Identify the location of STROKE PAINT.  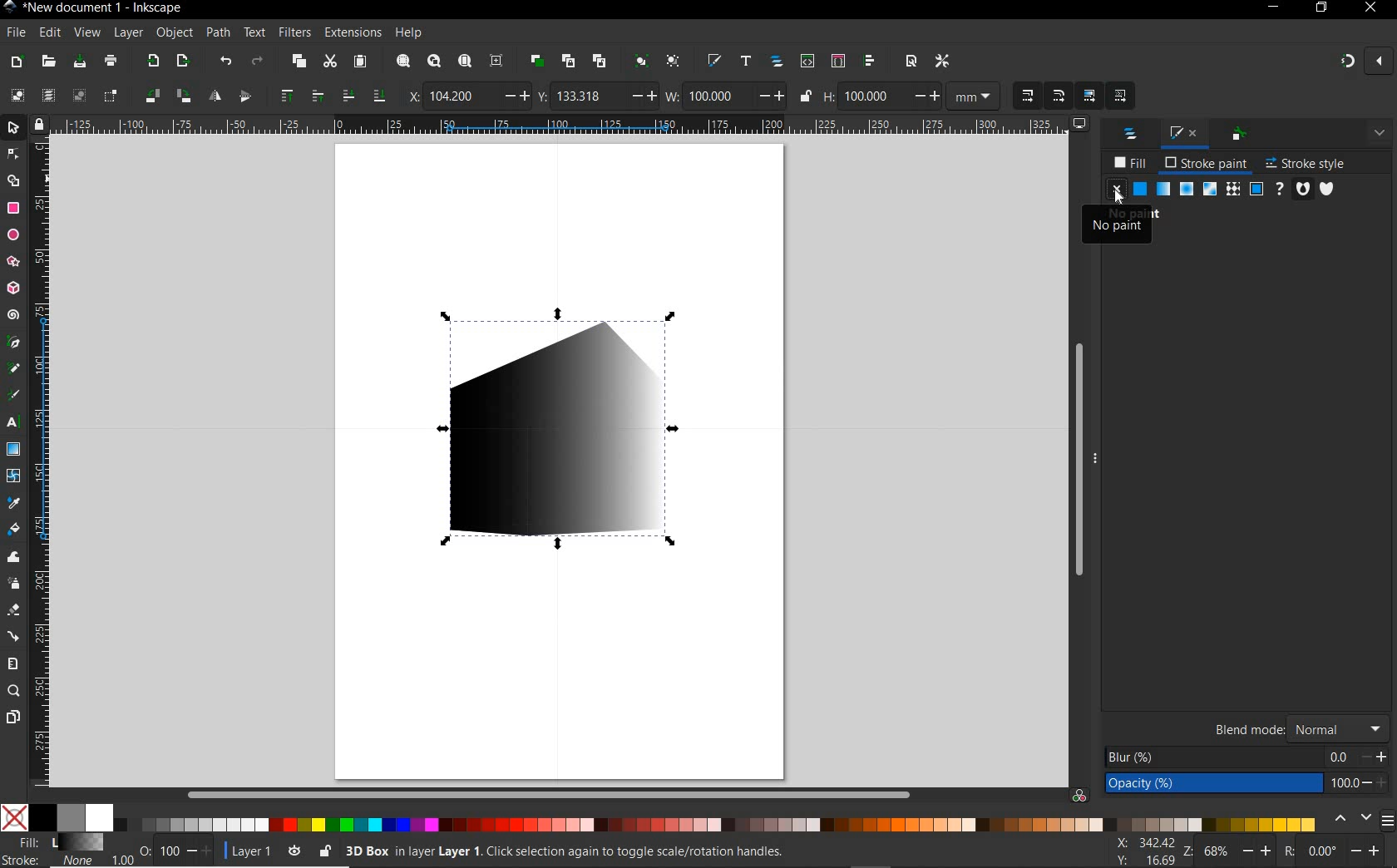
(1208, 164).